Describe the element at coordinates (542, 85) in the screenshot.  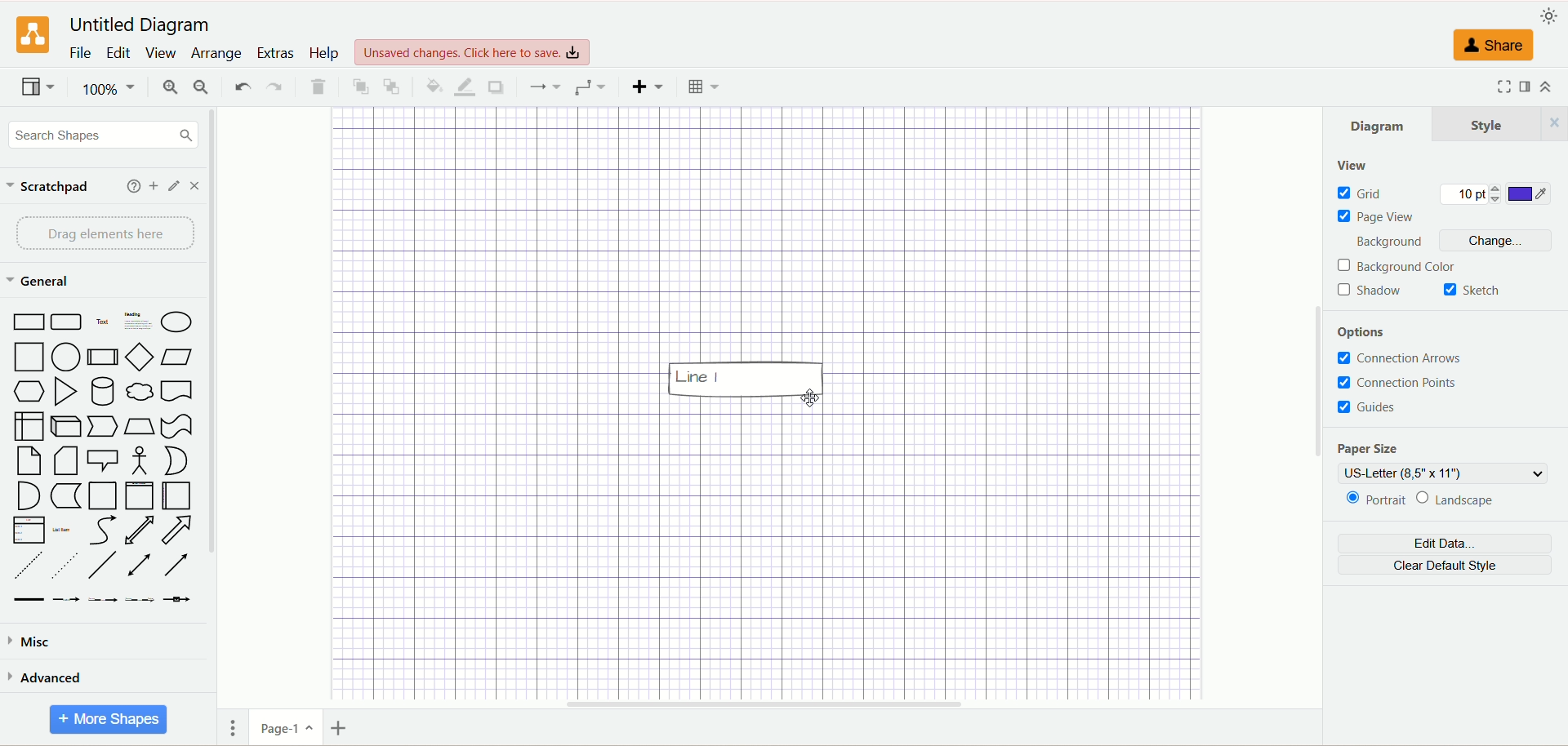
I see `connection` at that location.